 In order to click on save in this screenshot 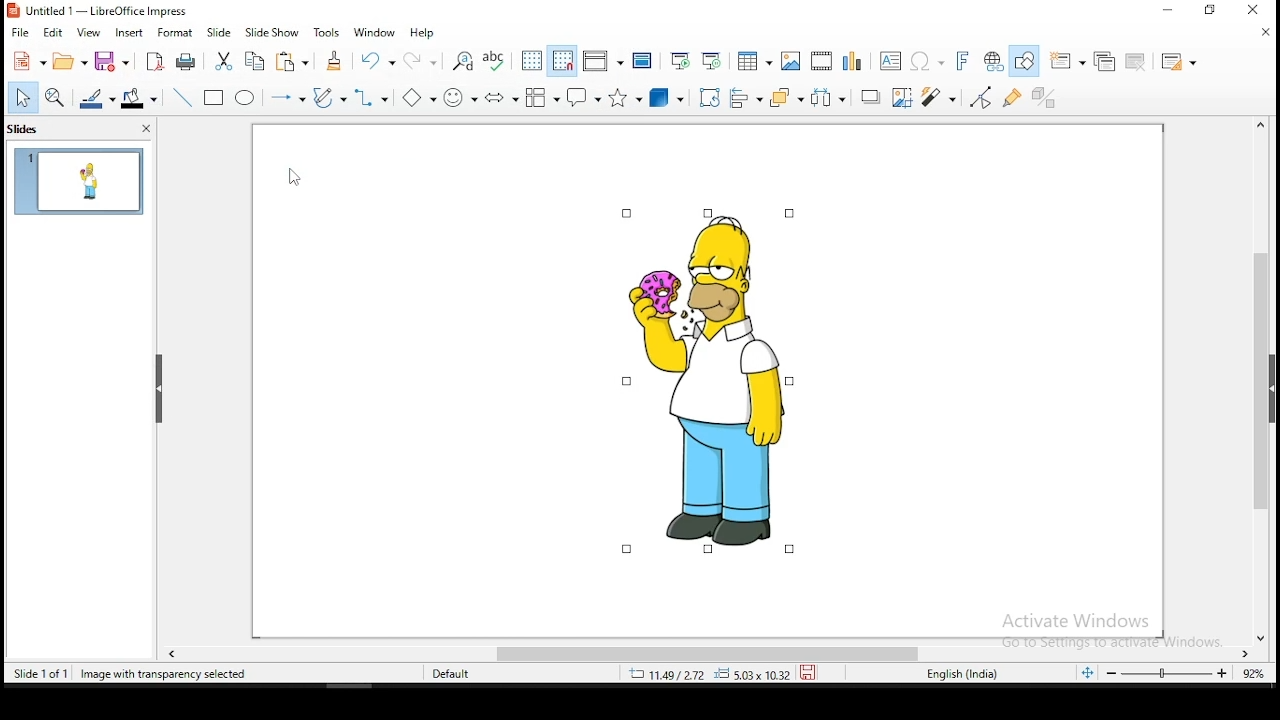, I will do `click(811, 672)`.